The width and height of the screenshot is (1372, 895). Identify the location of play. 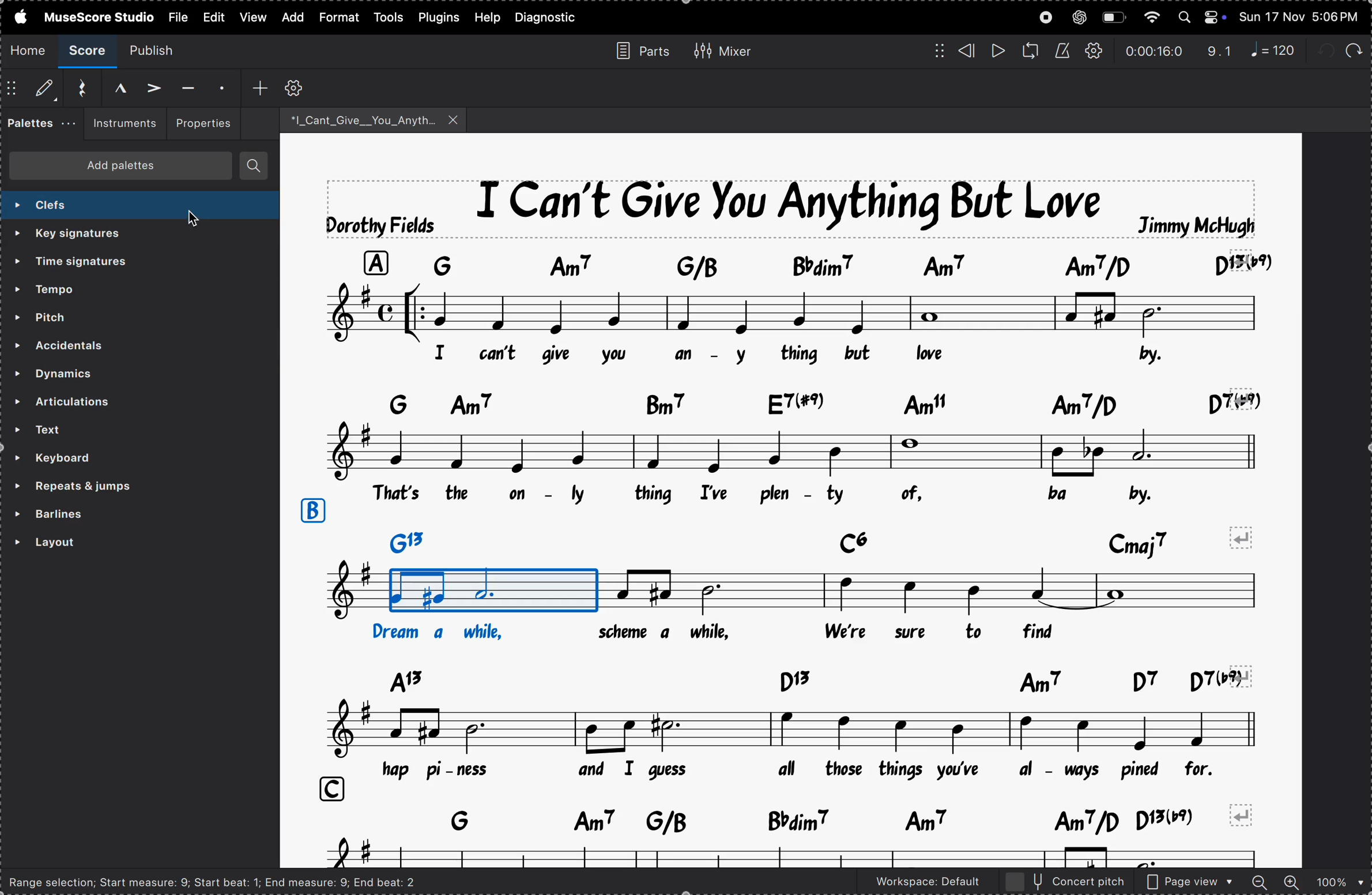
(997, 51).